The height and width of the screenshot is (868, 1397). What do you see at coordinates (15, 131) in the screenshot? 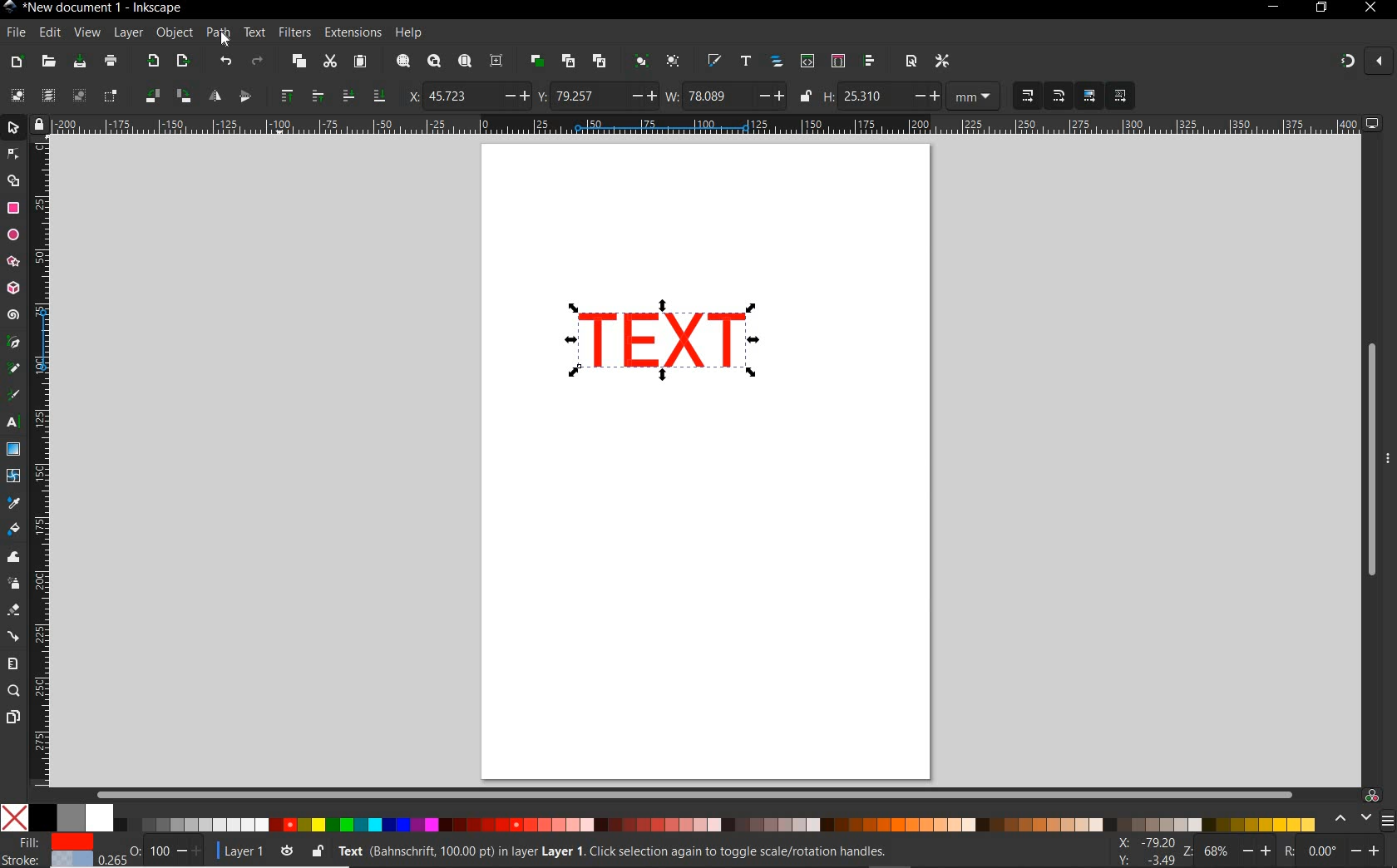
I see `SELECTOR TOOL` at bounding box center [15, 131].